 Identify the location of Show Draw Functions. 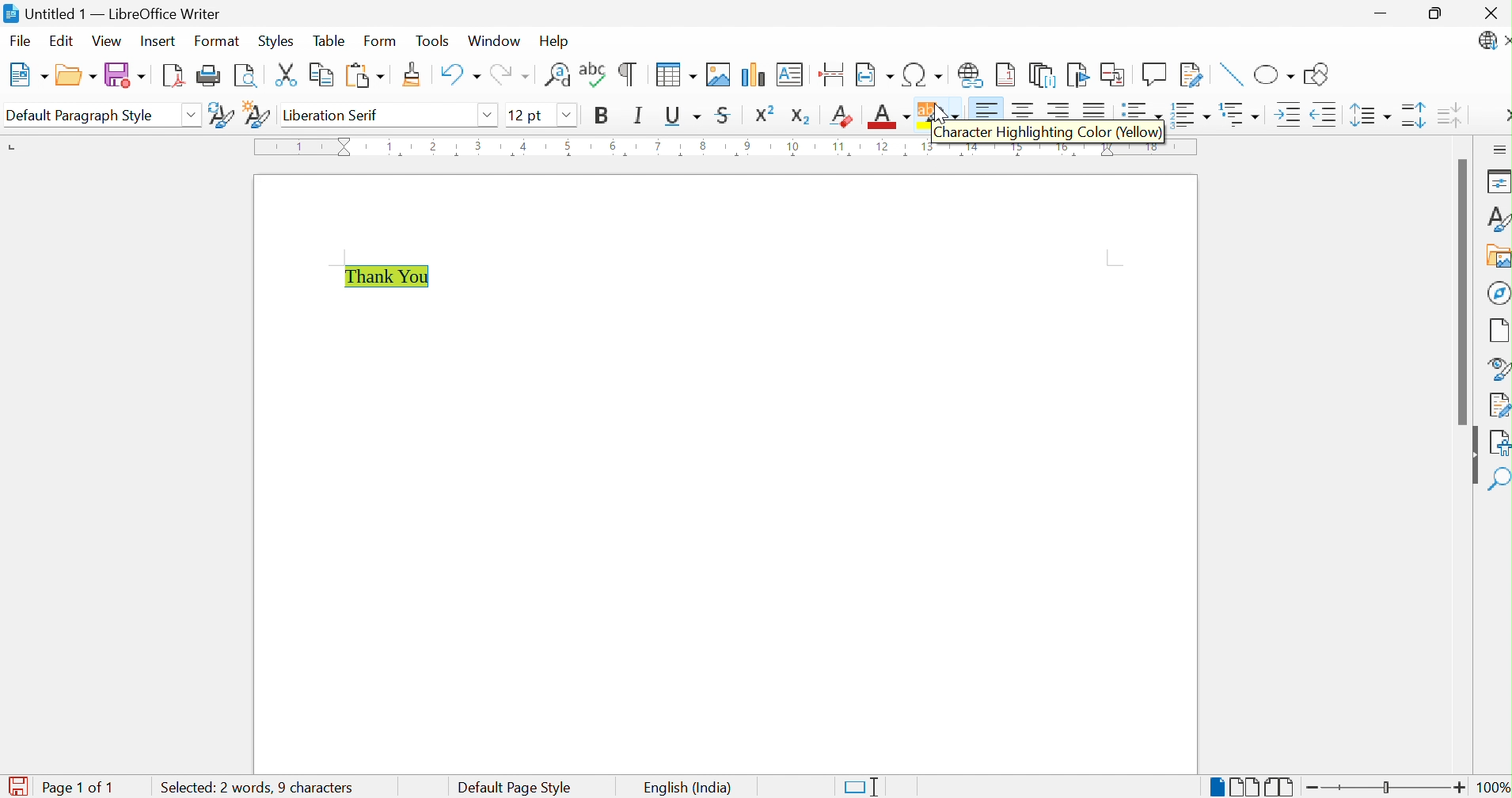
(1318, 74).